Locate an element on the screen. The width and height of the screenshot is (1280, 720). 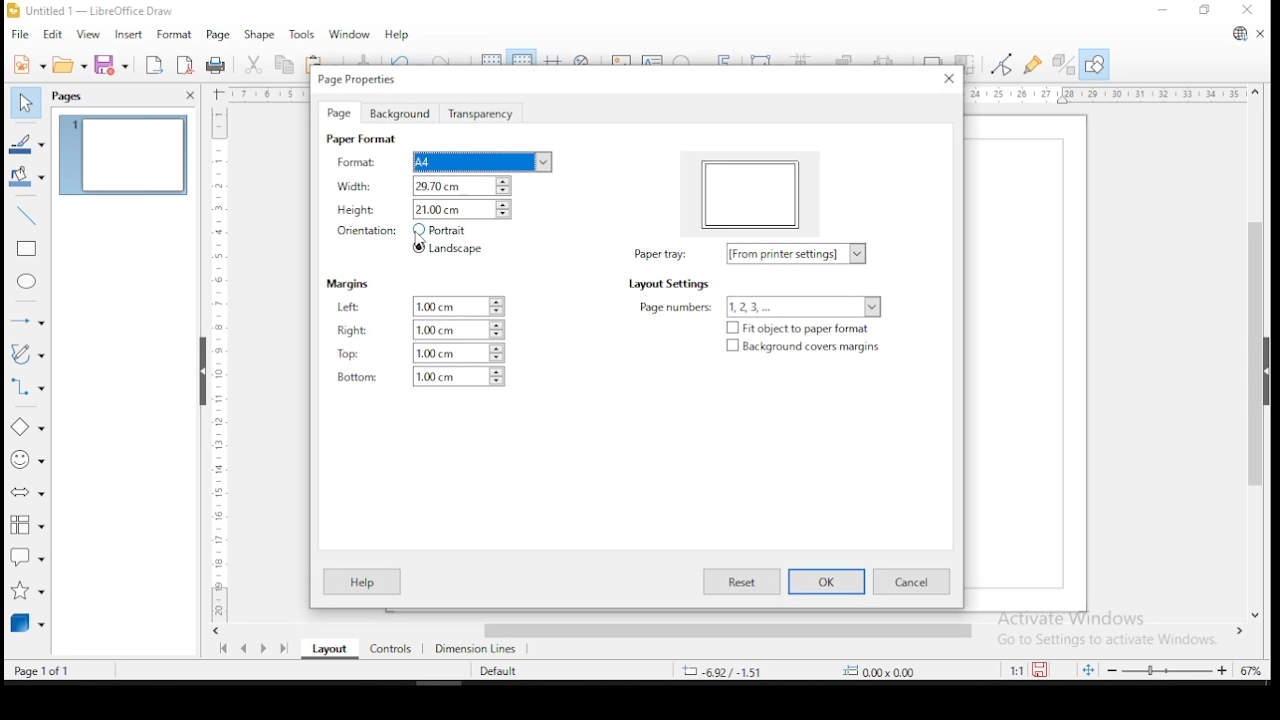
ok is located at coordinates (828, 582).